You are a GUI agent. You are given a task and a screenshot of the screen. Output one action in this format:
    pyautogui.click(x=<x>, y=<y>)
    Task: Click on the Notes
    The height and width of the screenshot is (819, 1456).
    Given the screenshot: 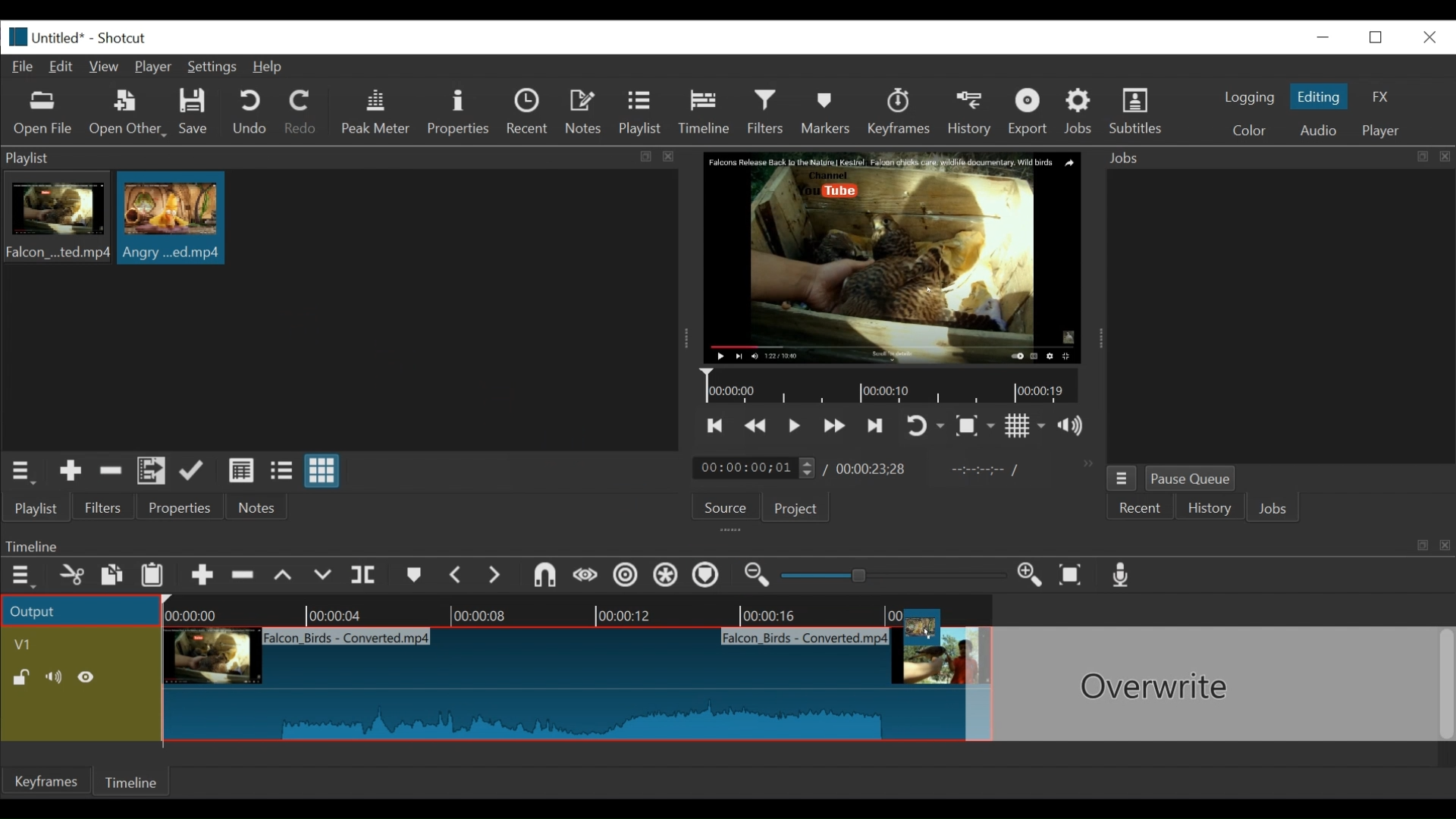 What is the action you would take?
    pyautogui.click(x=586, y=112)
    